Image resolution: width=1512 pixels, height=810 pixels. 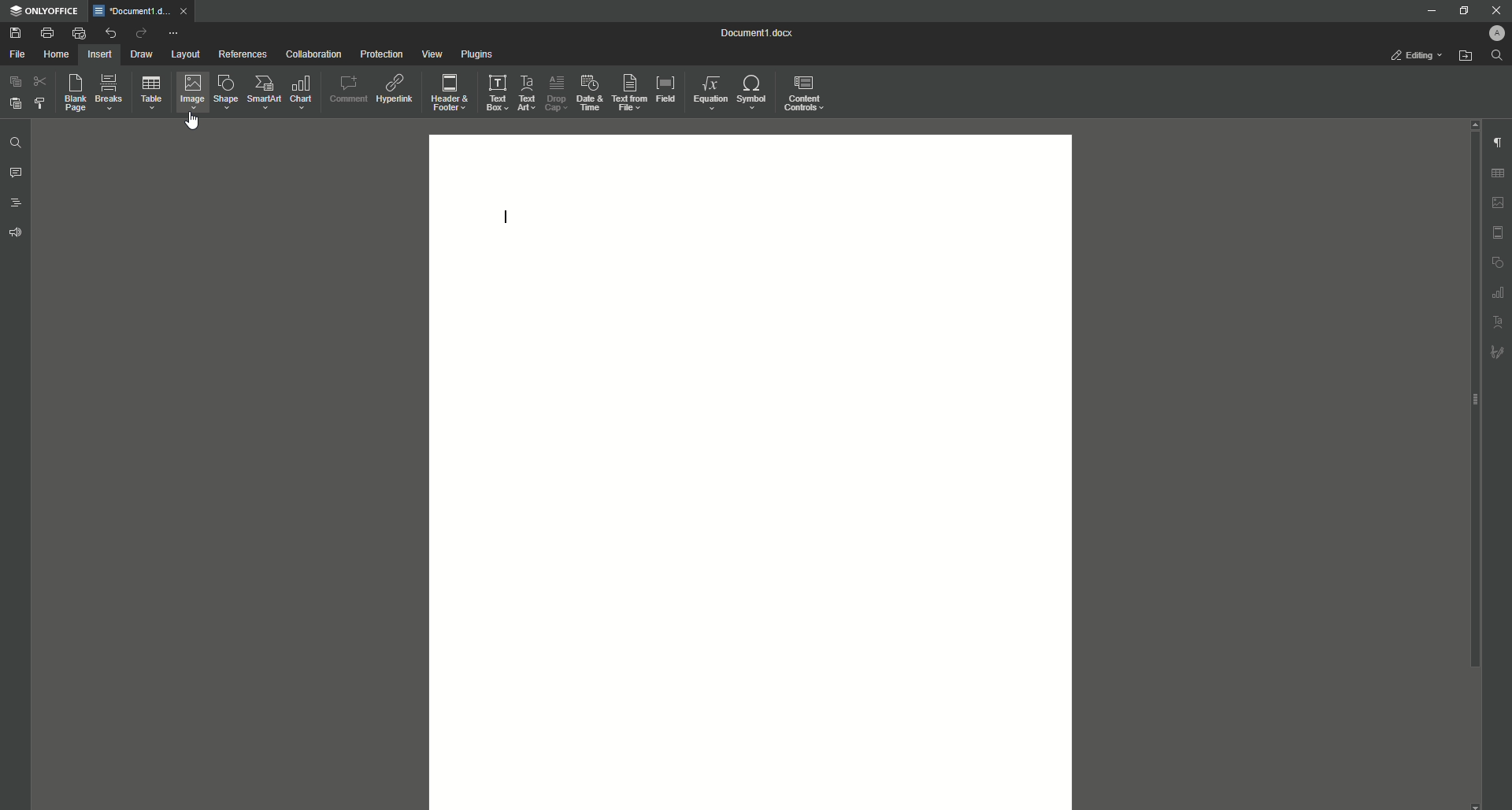 I want to click on Image Settings, so click(x=1499, y=202).